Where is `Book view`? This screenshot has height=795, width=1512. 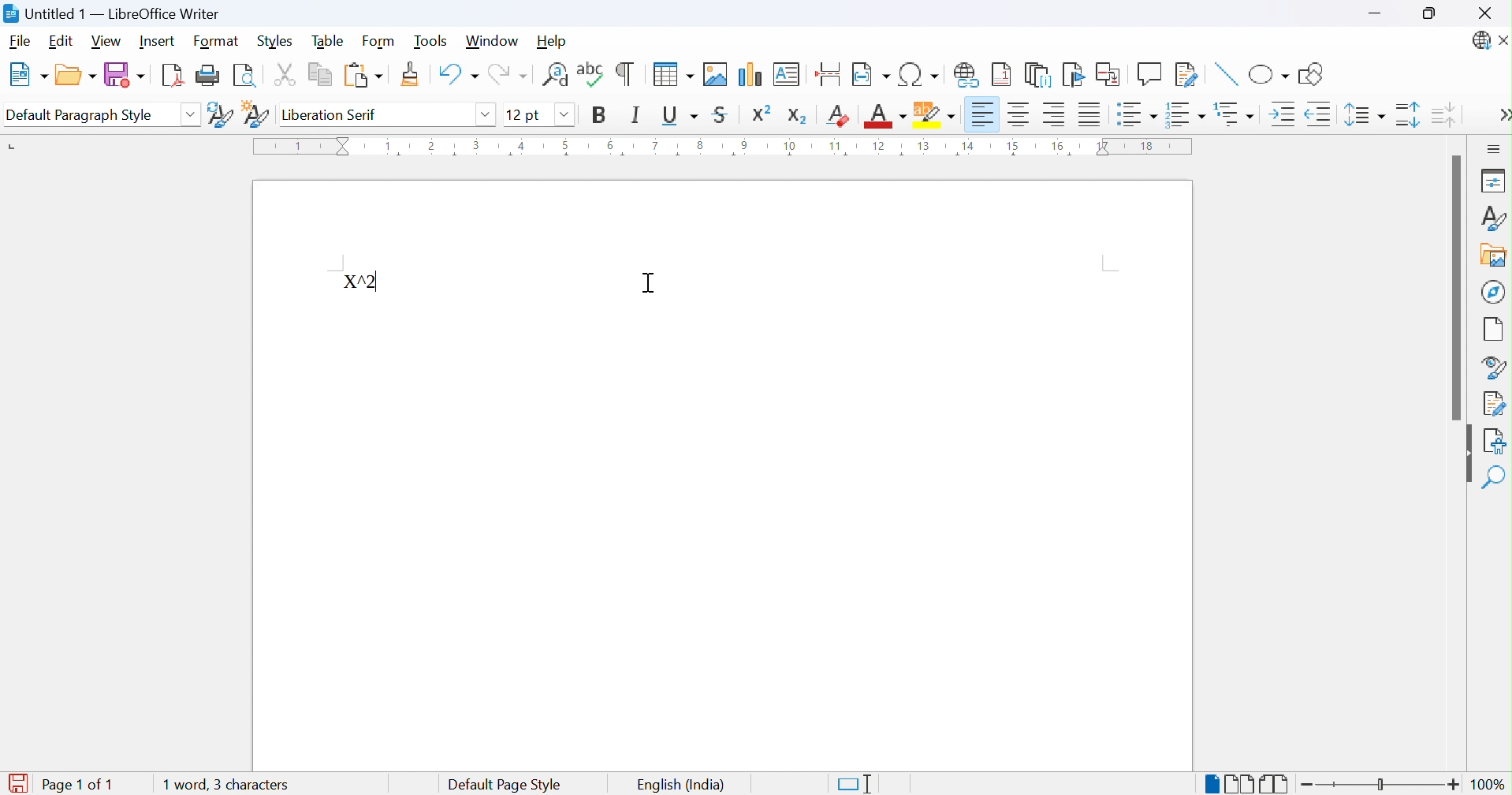
Book view is located at coordinates (1279, 784).